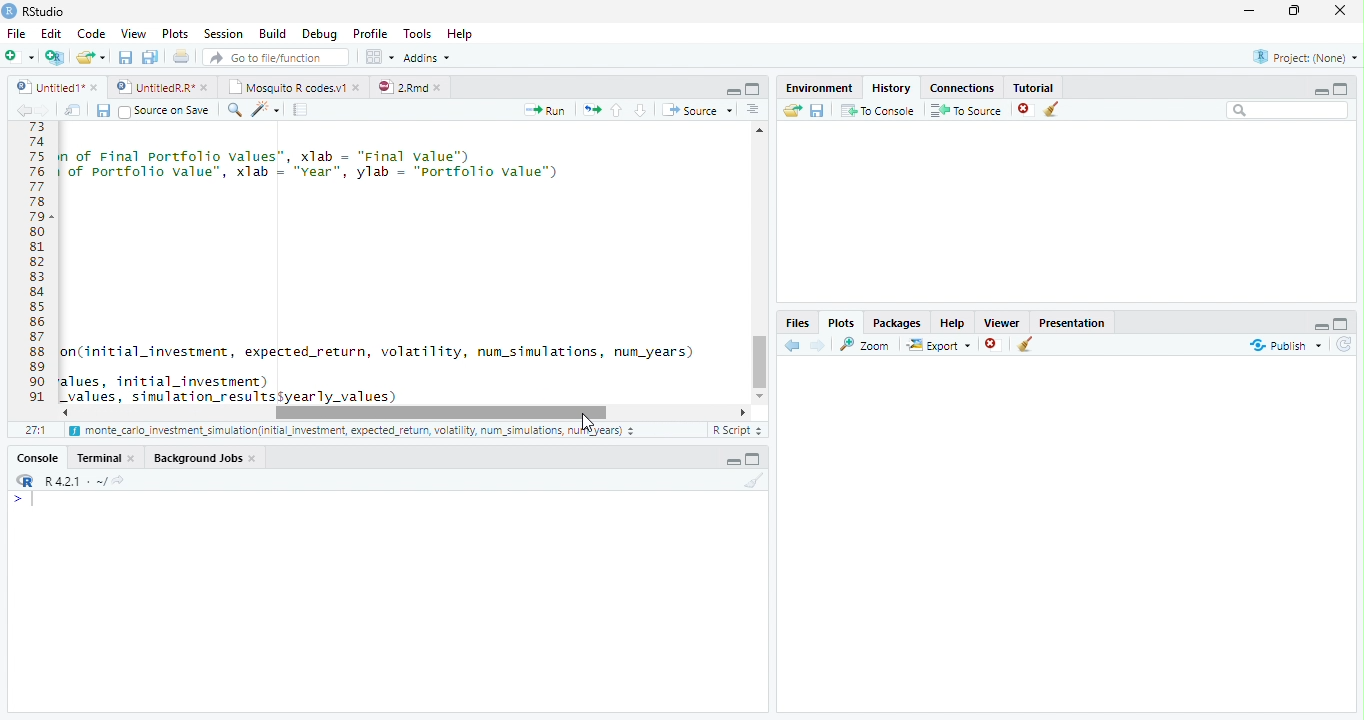 This screenshot has height=720, width=1364. What do you see at coordinates (379, 57) in the screenshot?
I see `Workspace Panes` at bounding box center [379, 57].